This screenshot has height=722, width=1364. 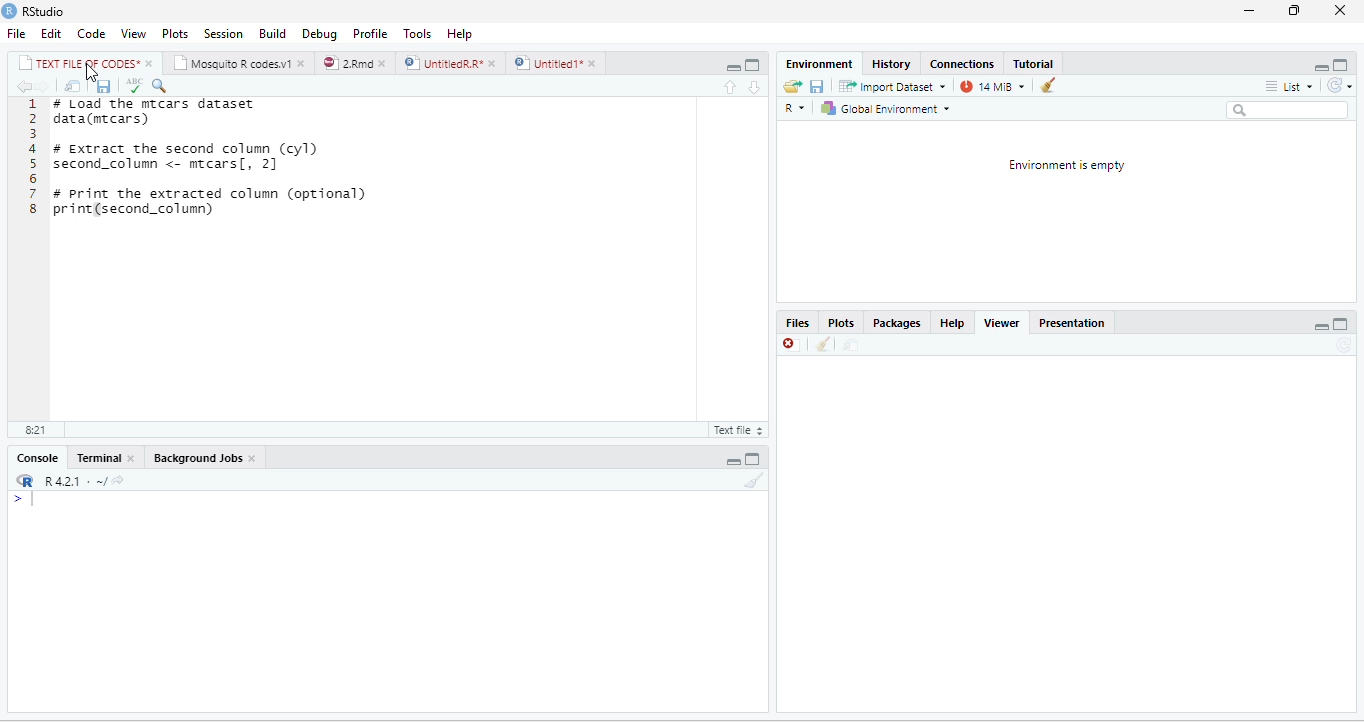 What do you see at coordinates (133, 86) in the screenshot?
I see `spellcheck` at bounding box center [133, 86].